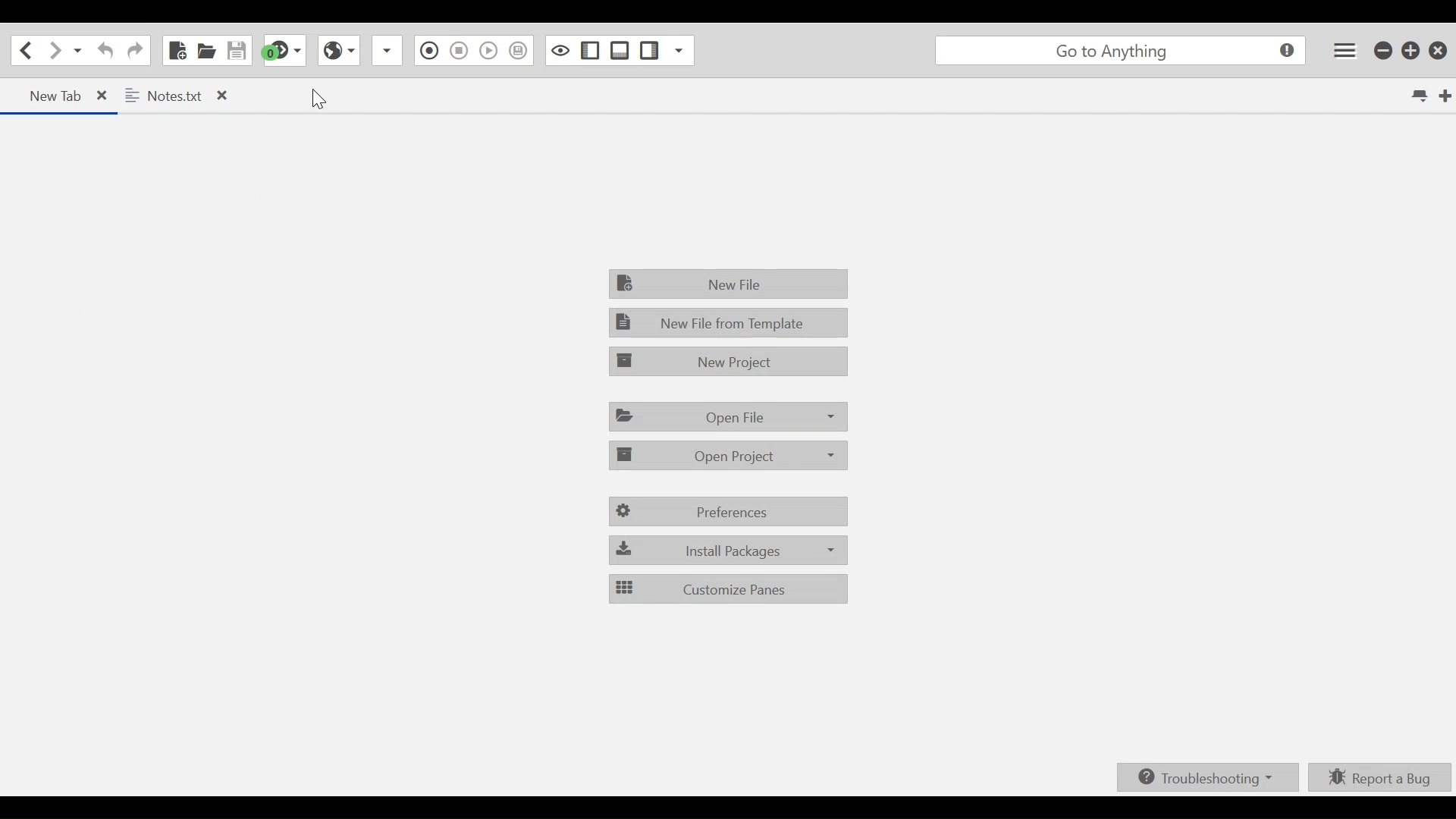  I want to click on Install Packages, so click(729, 551).